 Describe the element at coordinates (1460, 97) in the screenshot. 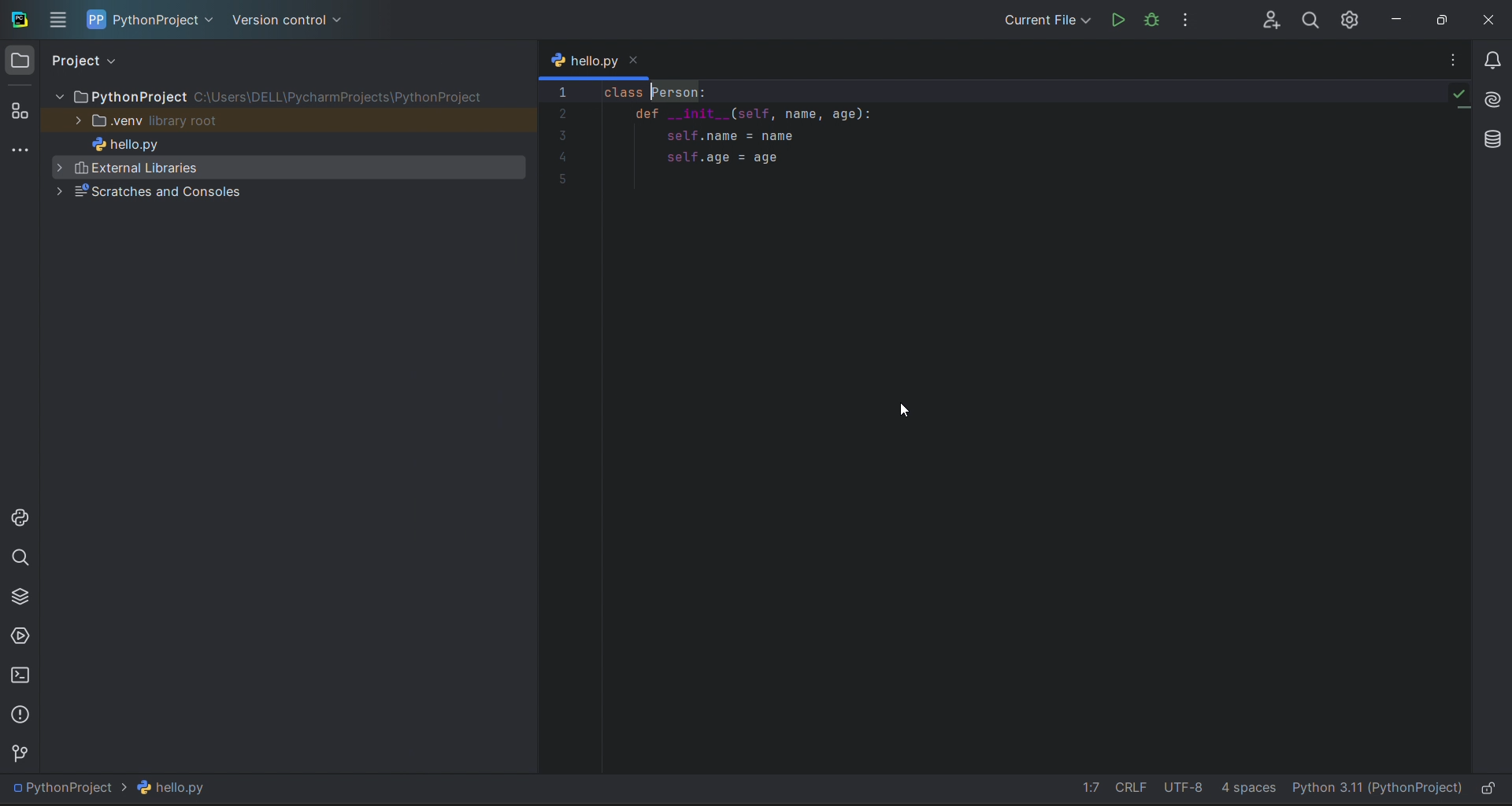

I see `Checked Icon` at that location.